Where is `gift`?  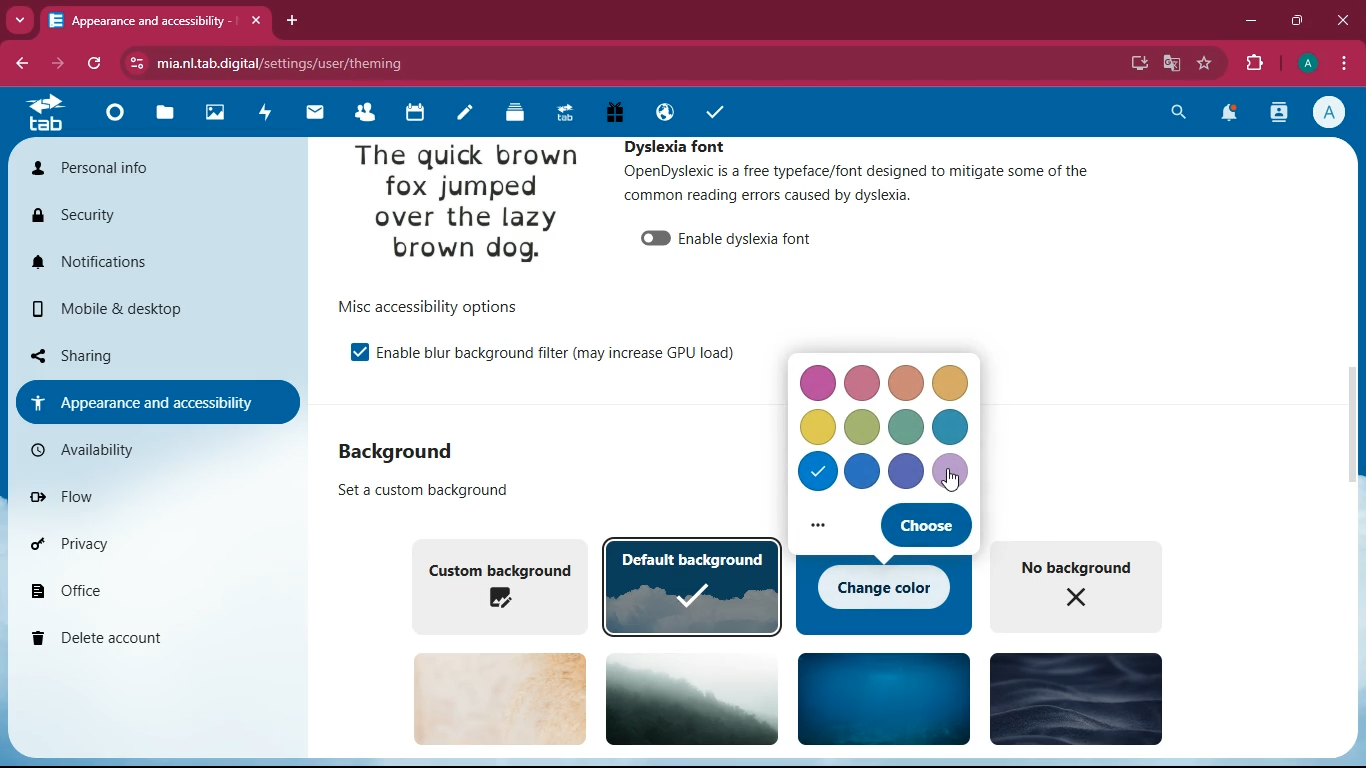
gift is located at coordinates (614, 112).